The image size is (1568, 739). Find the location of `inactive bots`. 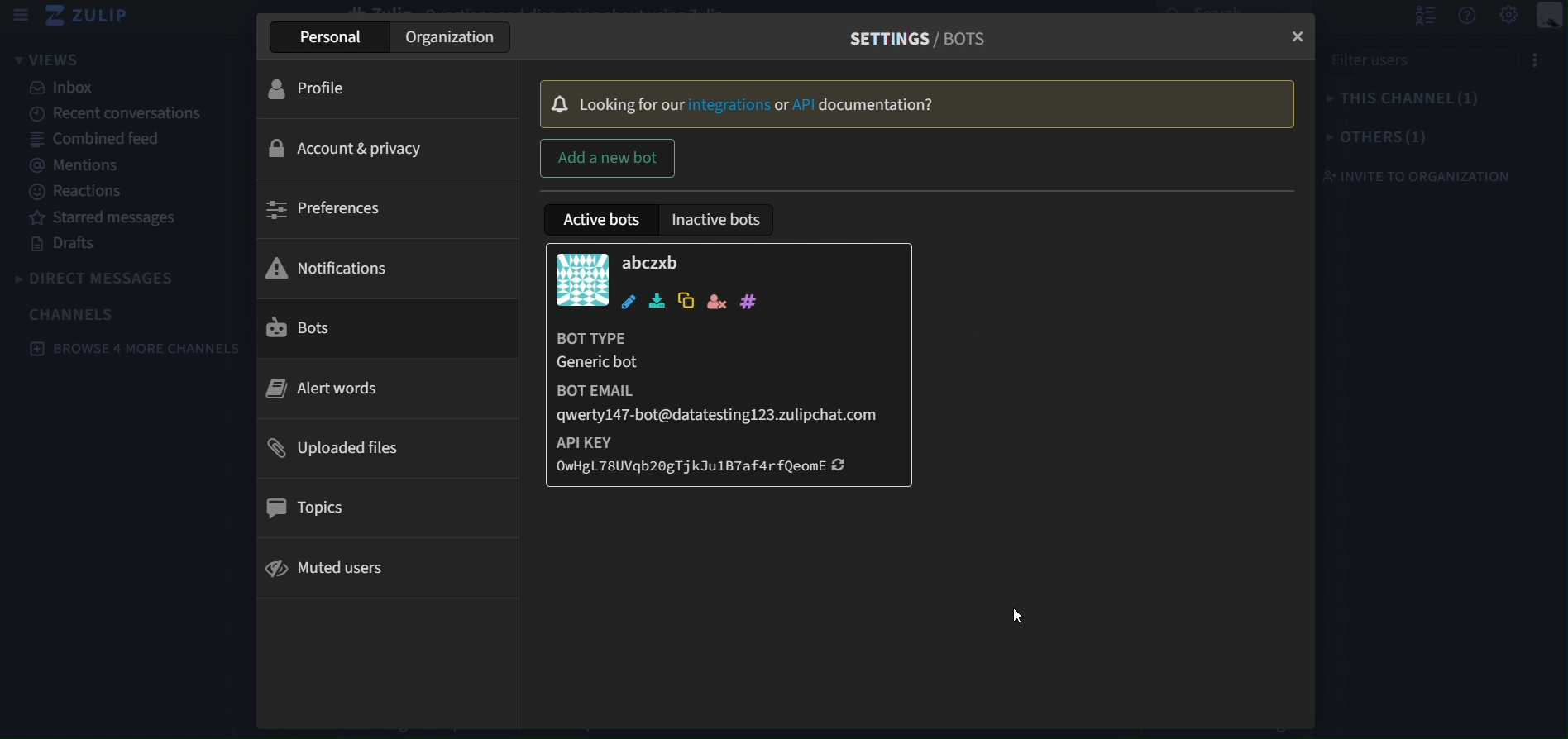

inactive bots is located at coordinates (724, 219).